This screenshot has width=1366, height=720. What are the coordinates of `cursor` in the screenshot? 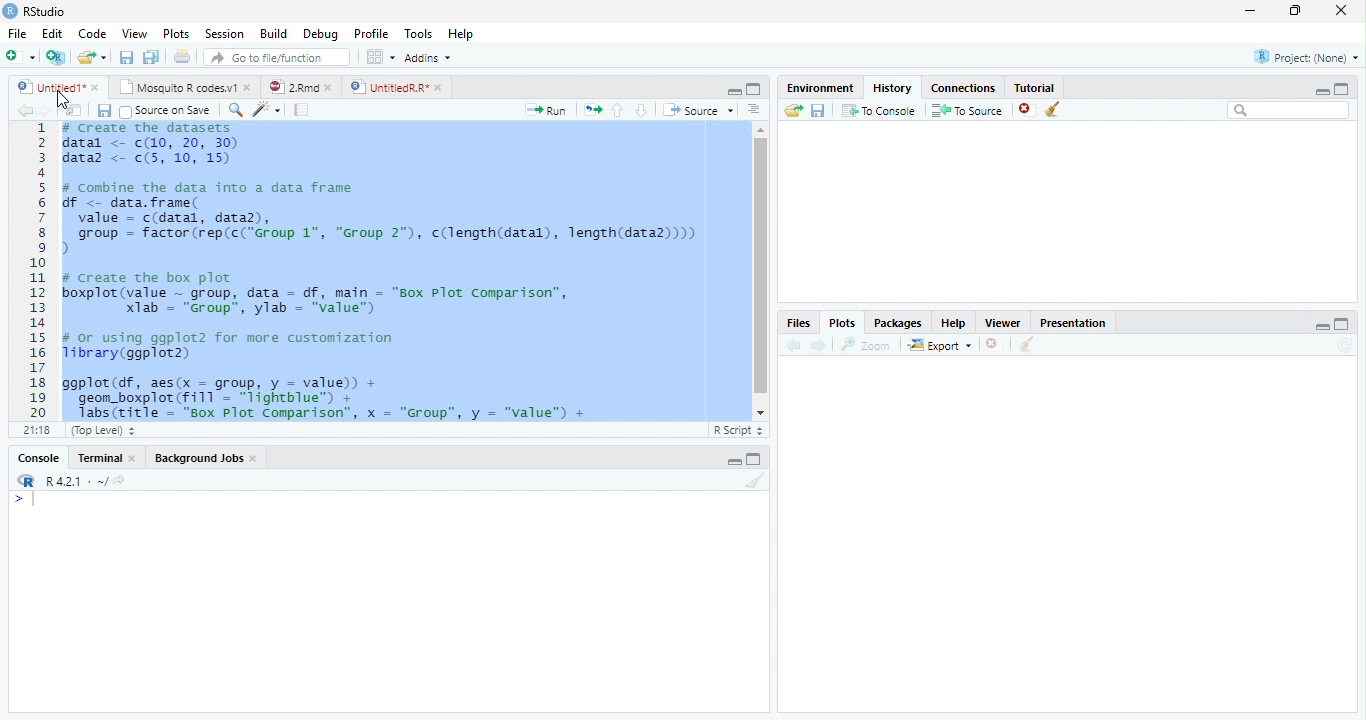 It's located at (62, 104).